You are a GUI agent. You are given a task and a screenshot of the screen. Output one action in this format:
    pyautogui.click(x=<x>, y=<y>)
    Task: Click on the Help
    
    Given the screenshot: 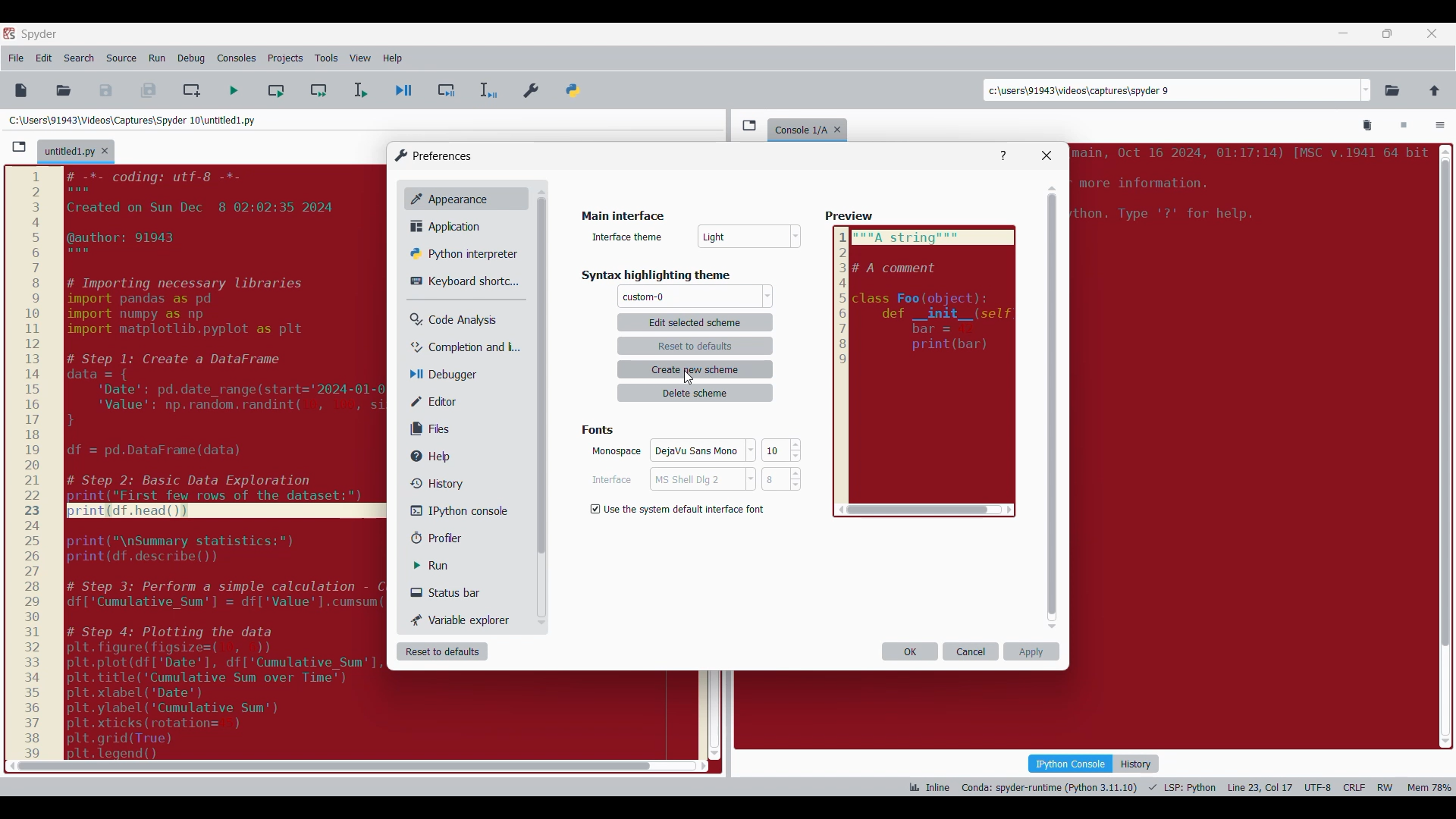 What is the action you would take?
    pyautogui.click(x=467, y=457)
    